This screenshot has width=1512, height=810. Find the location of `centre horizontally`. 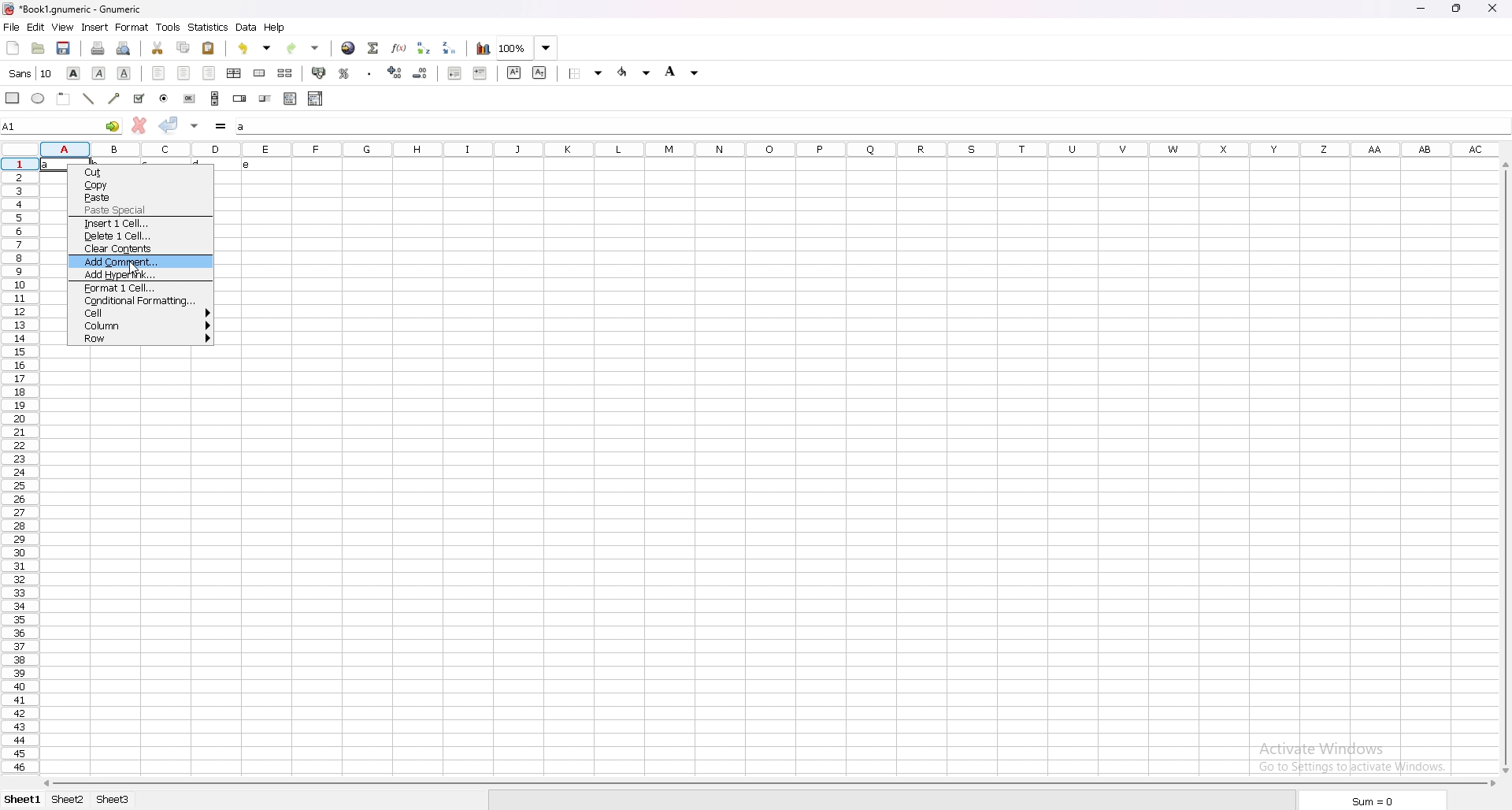

centre horizontally is located at coordinates (235, 74).